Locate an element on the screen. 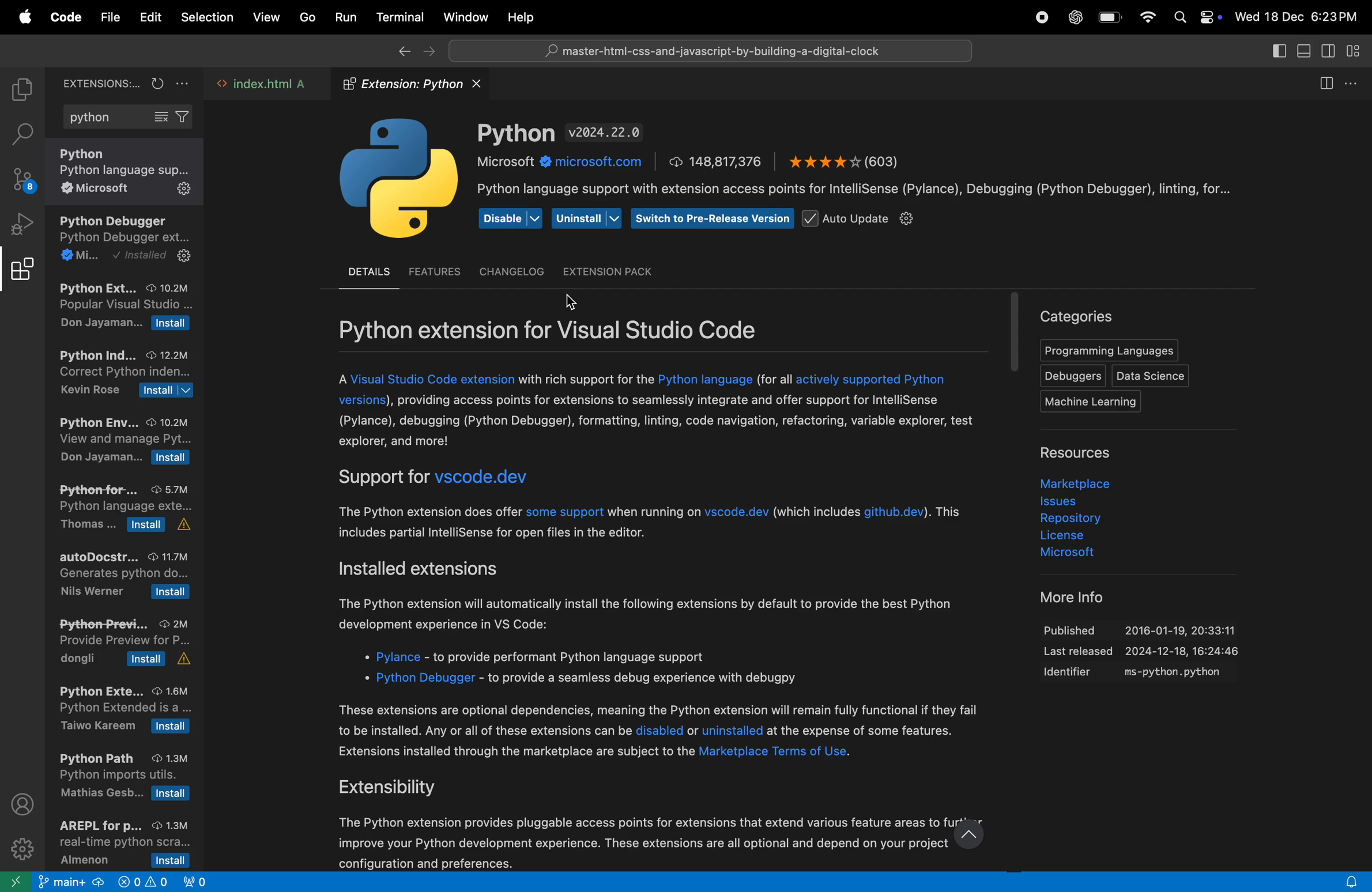  issues is located at coordinates (1072, 501).